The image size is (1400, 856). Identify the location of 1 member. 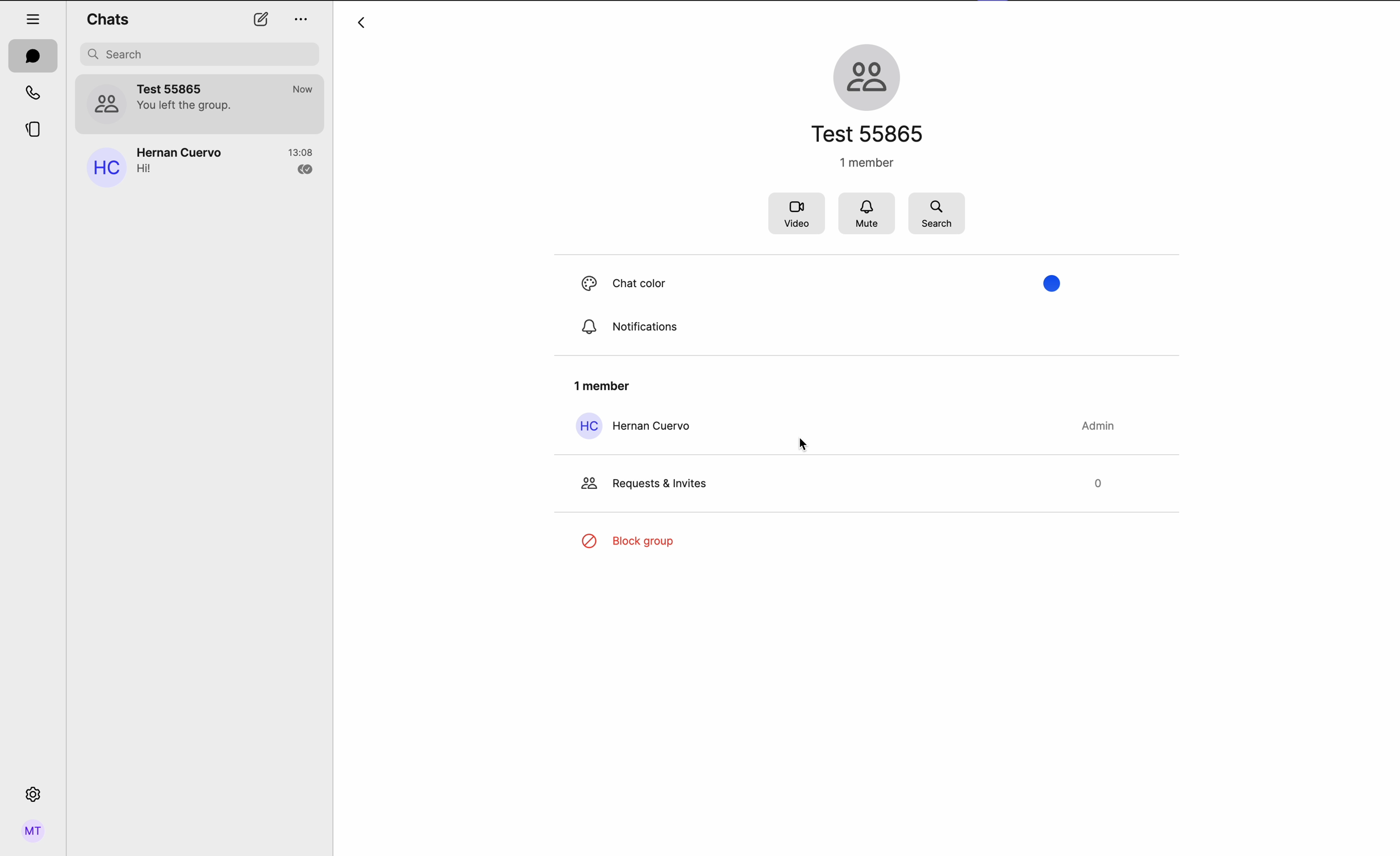
(606, 385).